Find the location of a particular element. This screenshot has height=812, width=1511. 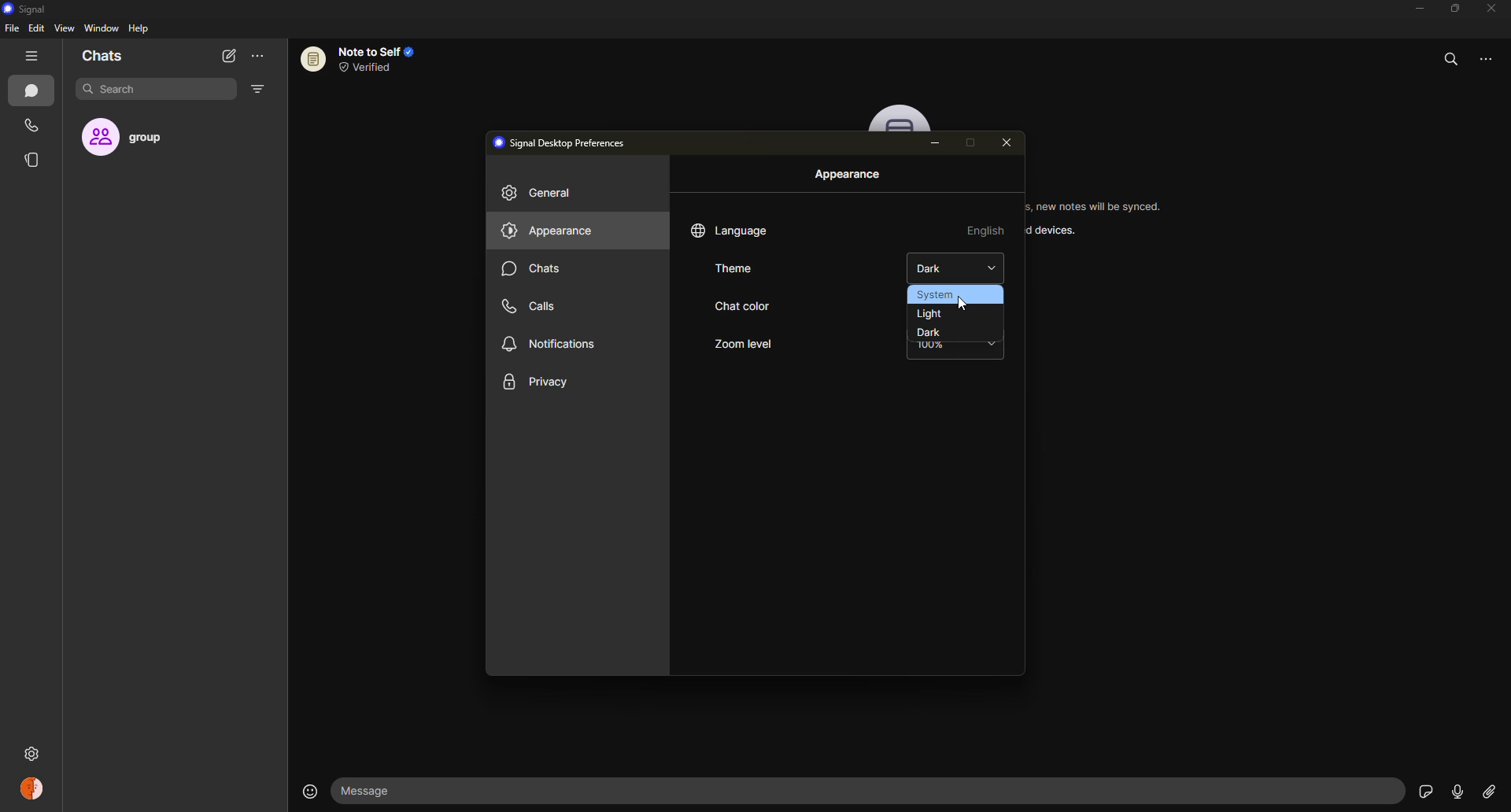

privacy is located at coordinates (539, 382).